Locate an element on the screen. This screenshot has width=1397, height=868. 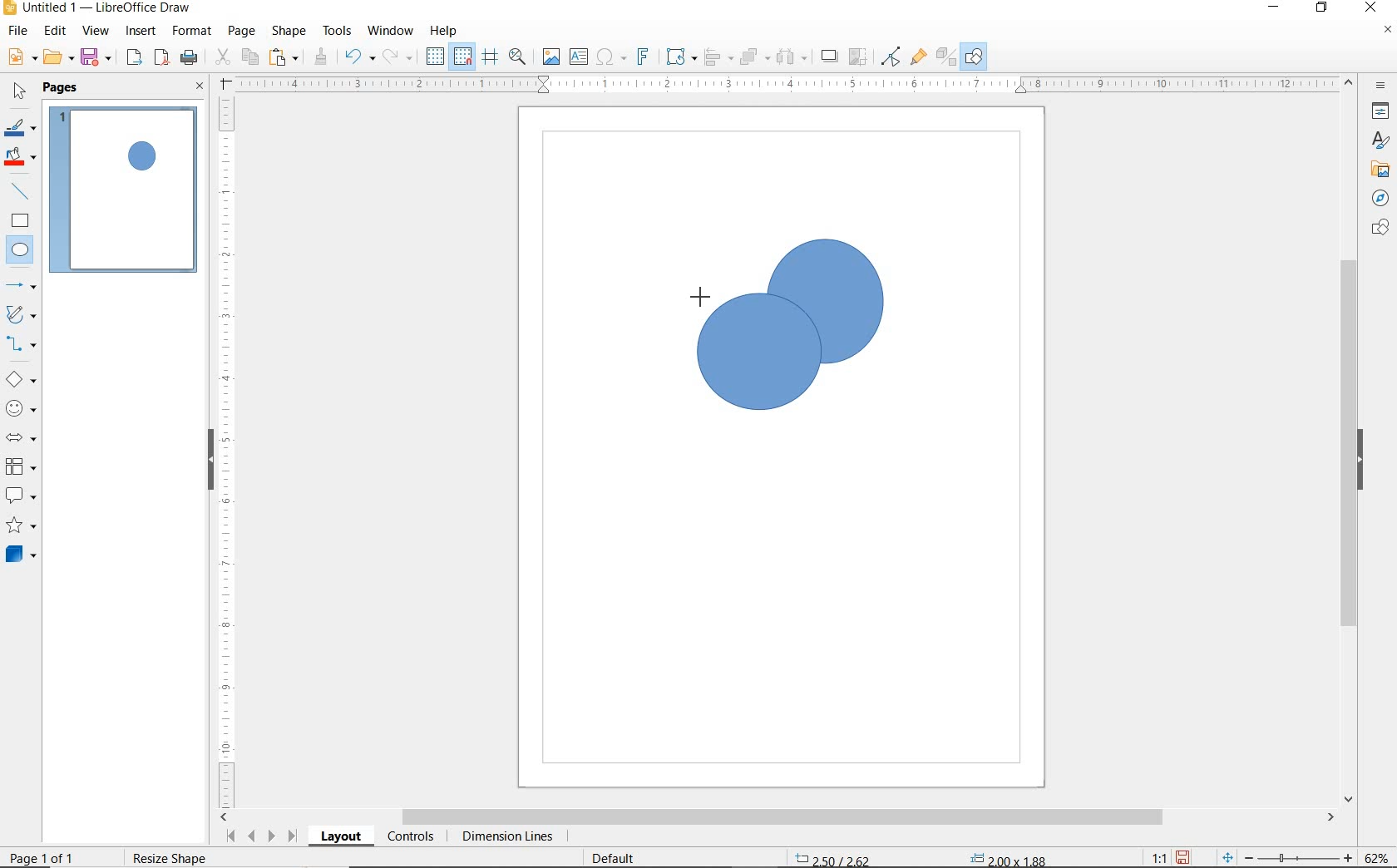
FILE is located at coordinates (19, 33).